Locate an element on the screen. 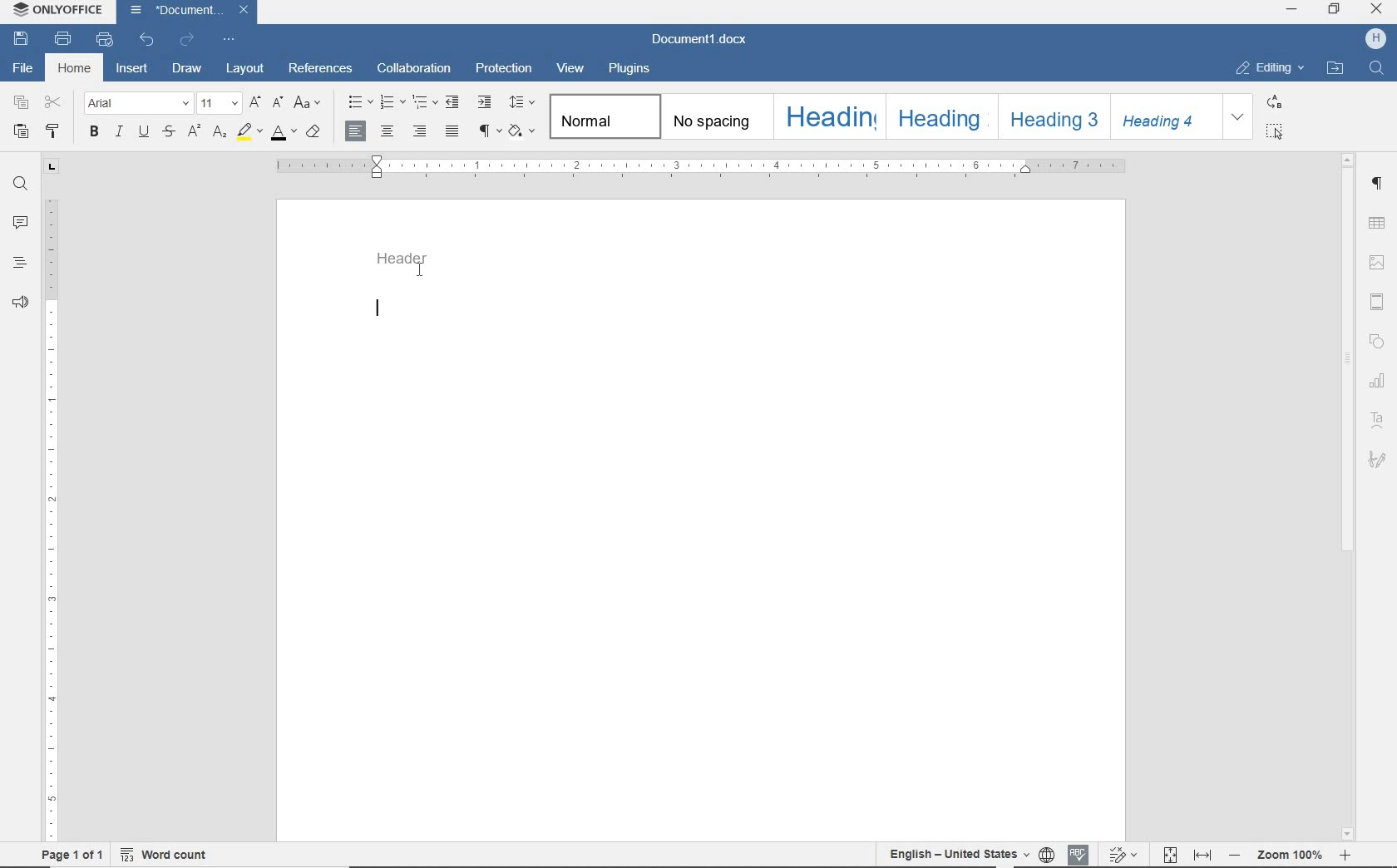 The width and height of the screenshot is (1397, 868). align left is located at coordinates (357, 131).